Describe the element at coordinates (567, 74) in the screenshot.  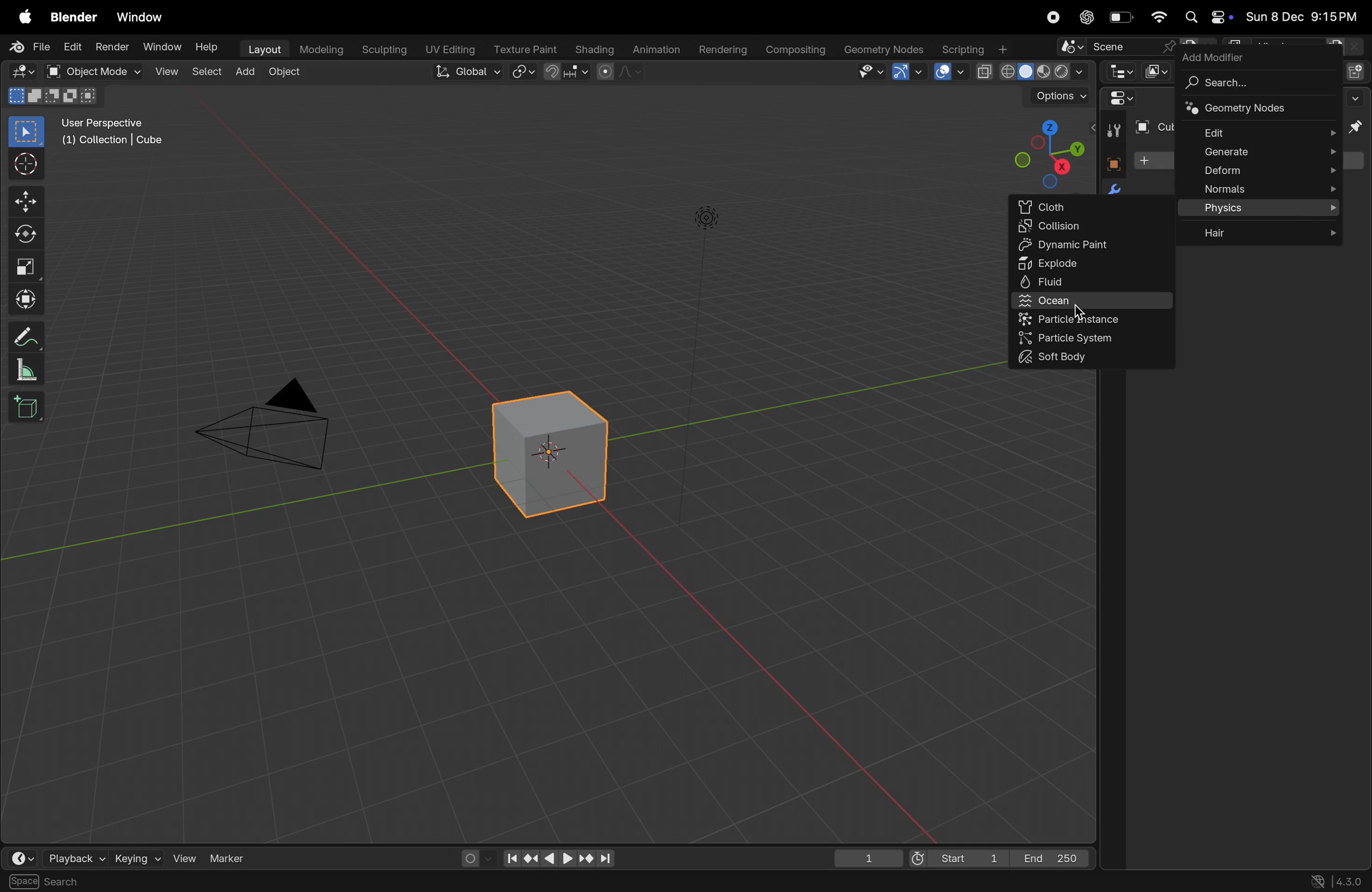
I see `` at that location.